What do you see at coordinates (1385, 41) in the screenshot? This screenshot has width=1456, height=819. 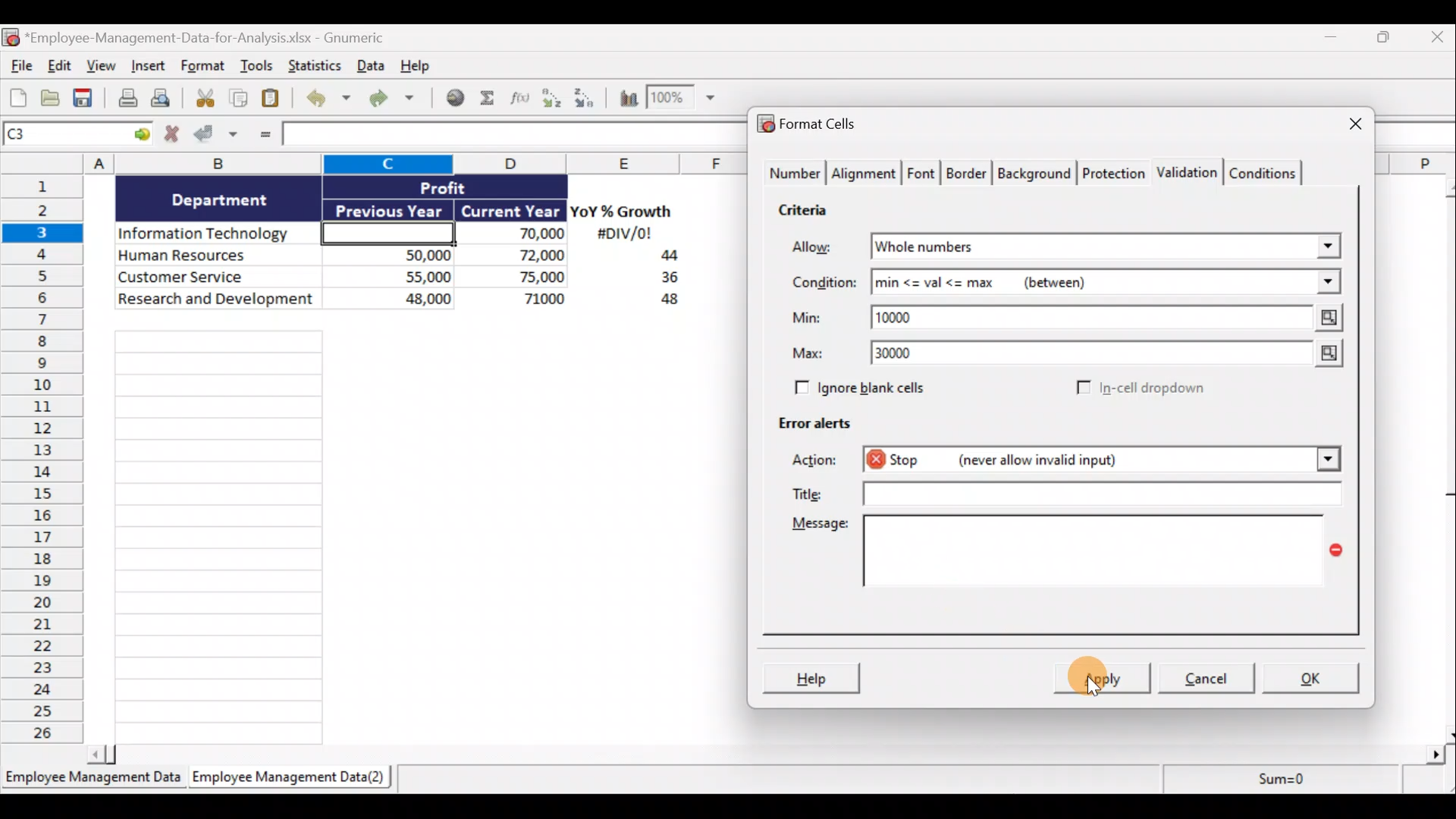 I see `Restore down` at bounding box center [1385, 41].